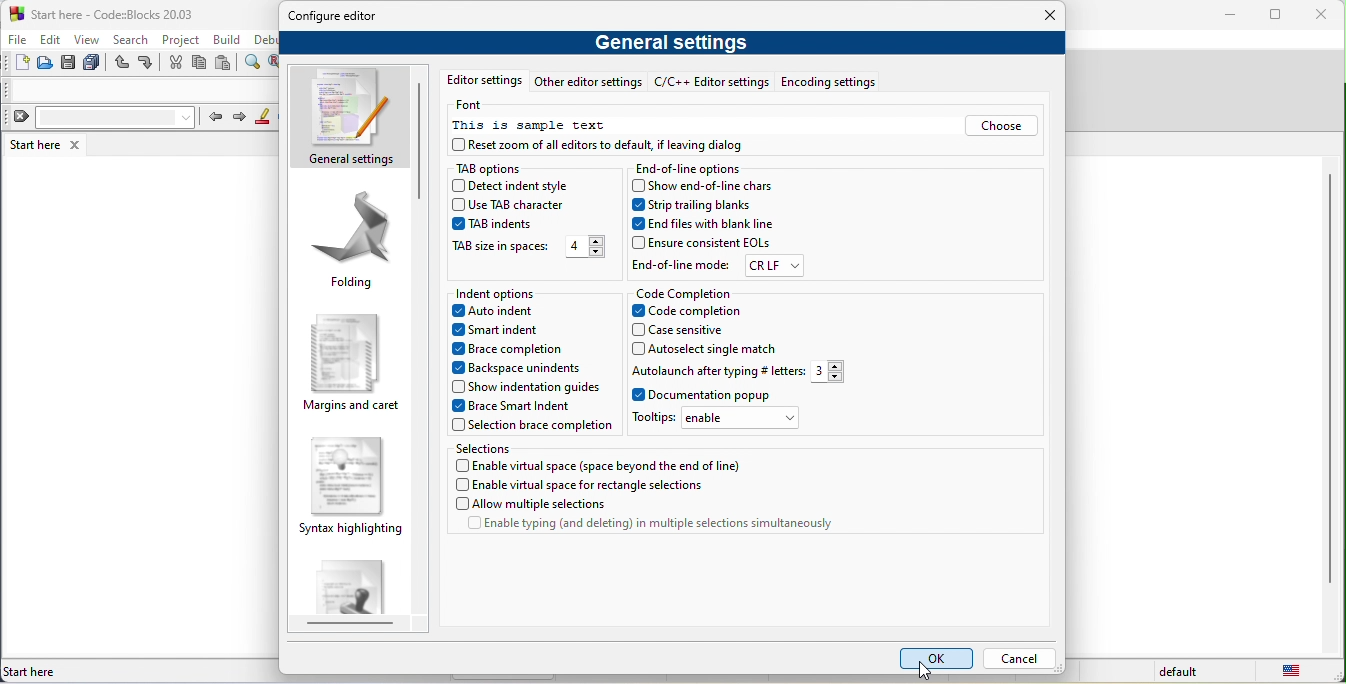  What do you see at coordinates (131, 14) in the screenshot?
I see `start here-code blocks-20 03` at bounding box center [131, 14].